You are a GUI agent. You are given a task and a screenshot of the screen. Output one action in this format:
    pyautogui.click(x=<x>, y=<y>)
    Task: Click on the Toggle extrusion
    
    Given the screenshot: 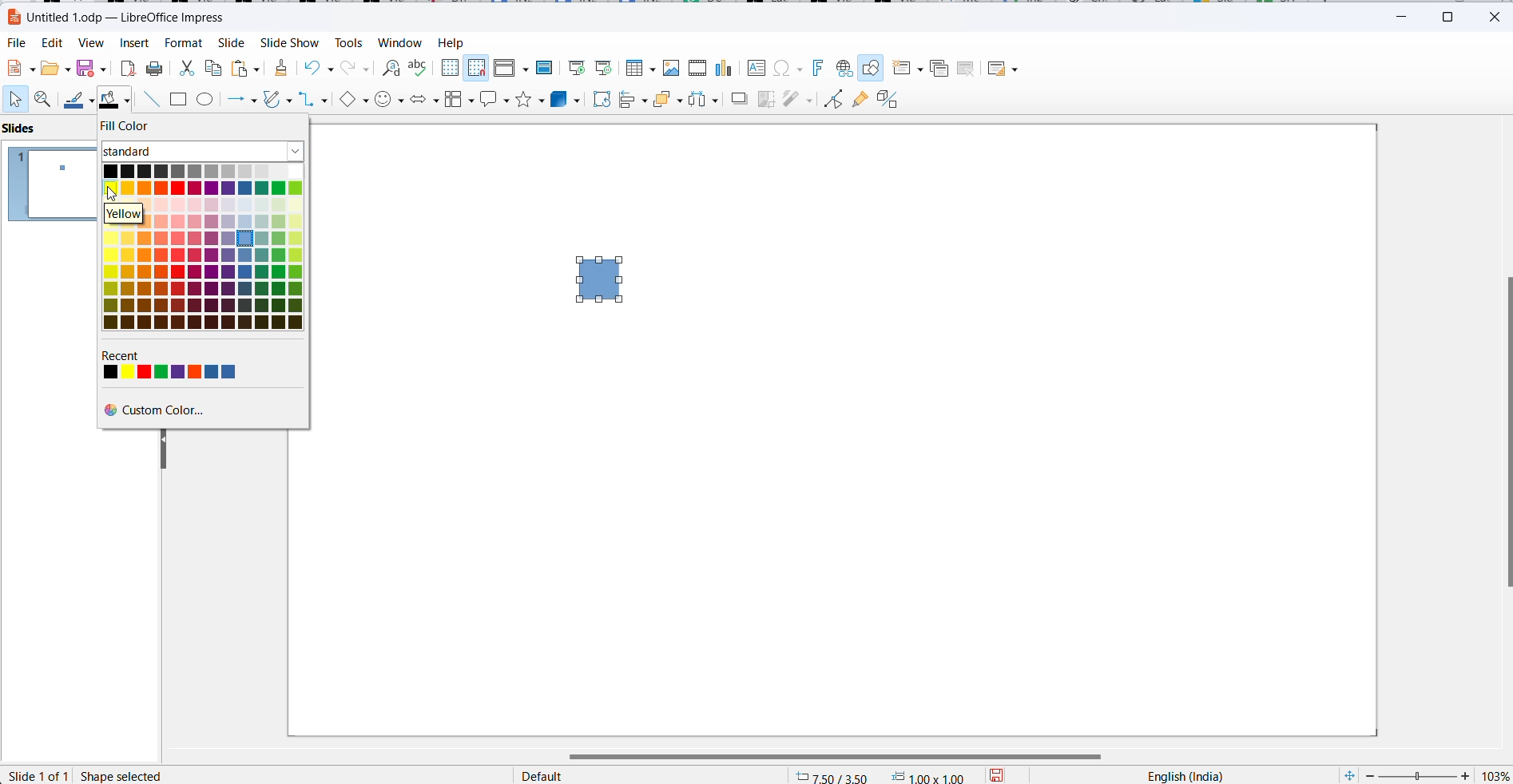 What is the action you would take?
    pyautogui.click(x=892, y=100)
    